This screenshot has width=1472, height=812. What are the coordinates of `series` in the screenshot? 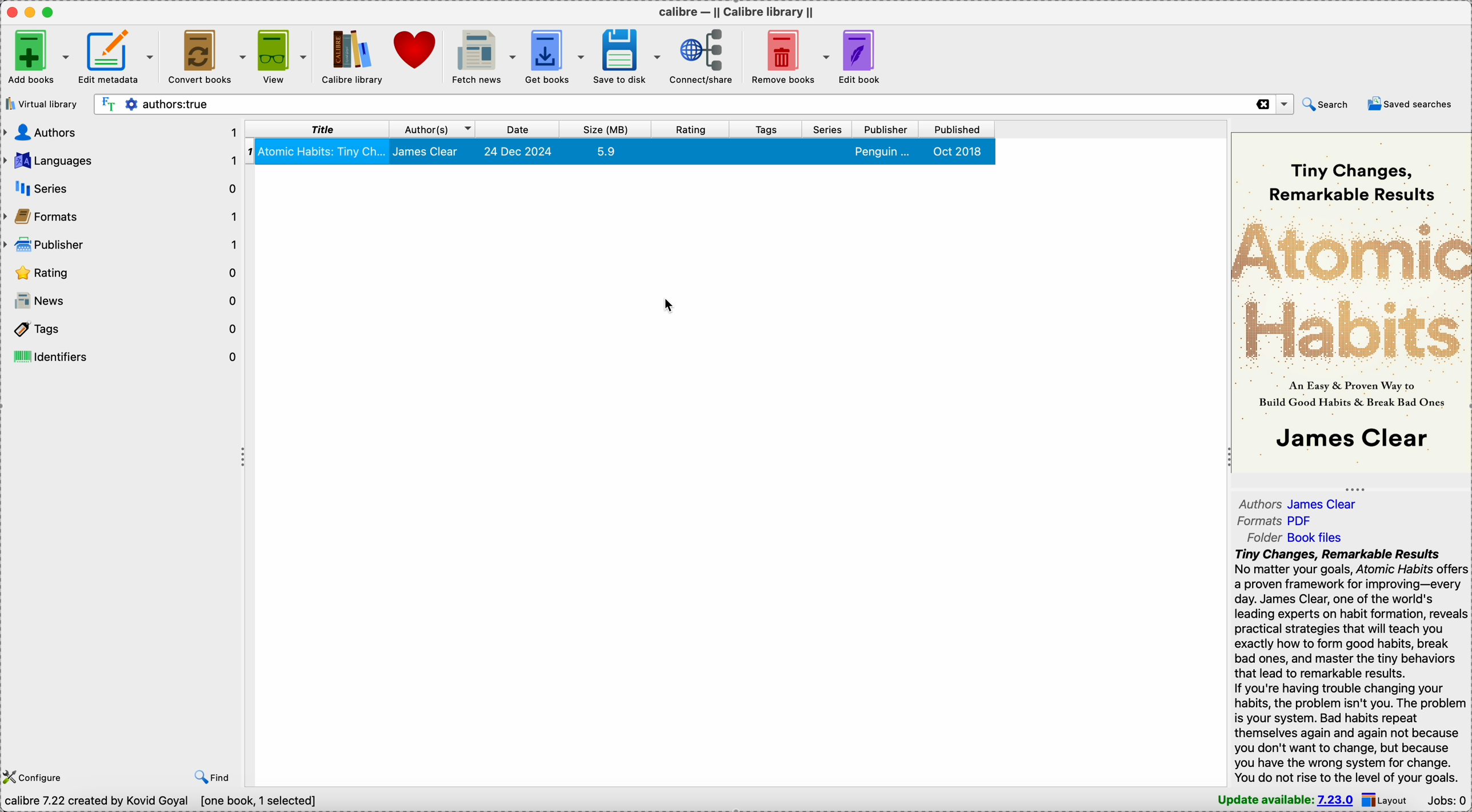 It's located at (825, 129).